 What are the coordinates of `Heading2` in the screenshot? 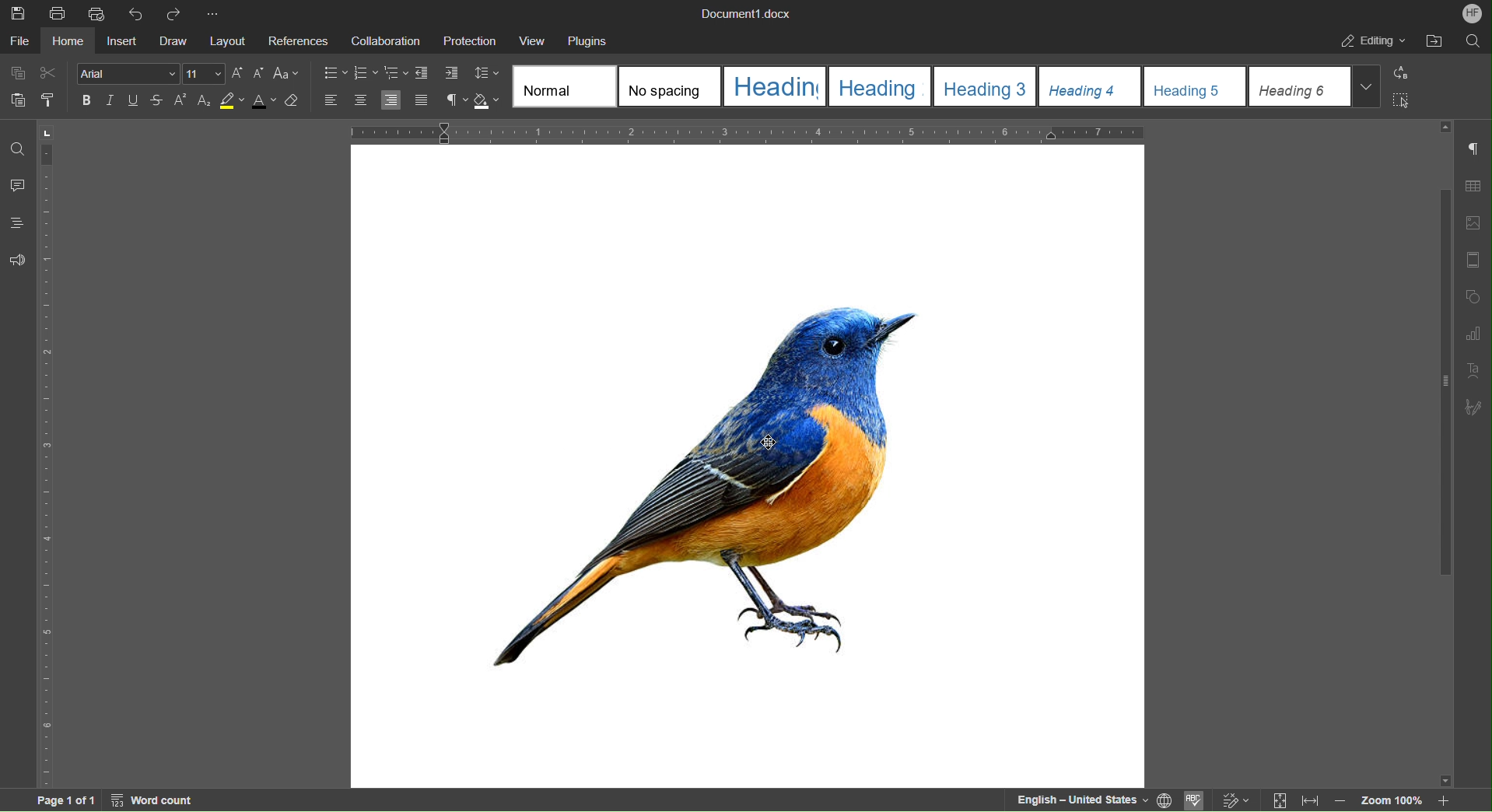 It's located at (879, 85).